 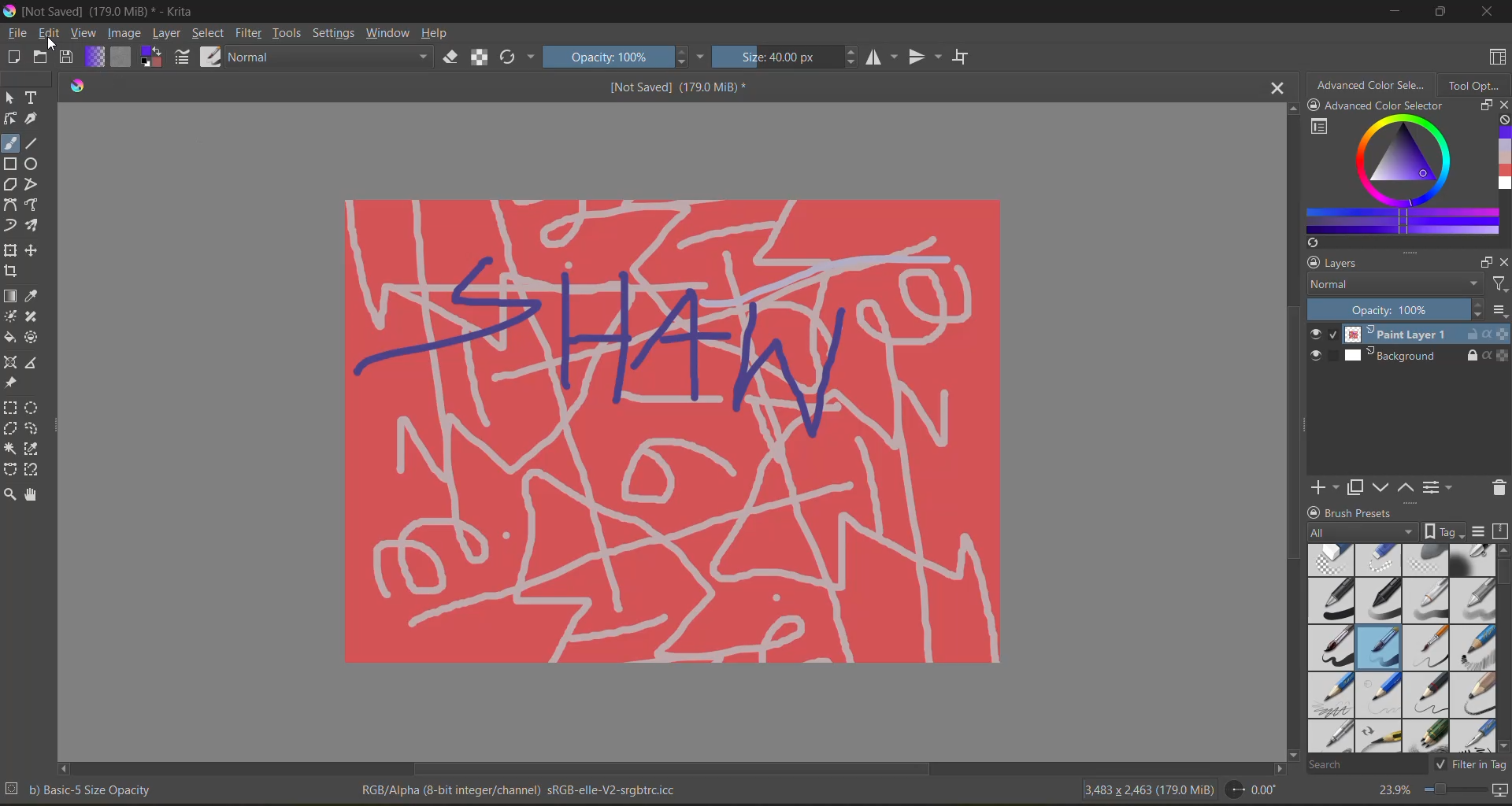 I want to click on filters, so click(x=248, y=33).